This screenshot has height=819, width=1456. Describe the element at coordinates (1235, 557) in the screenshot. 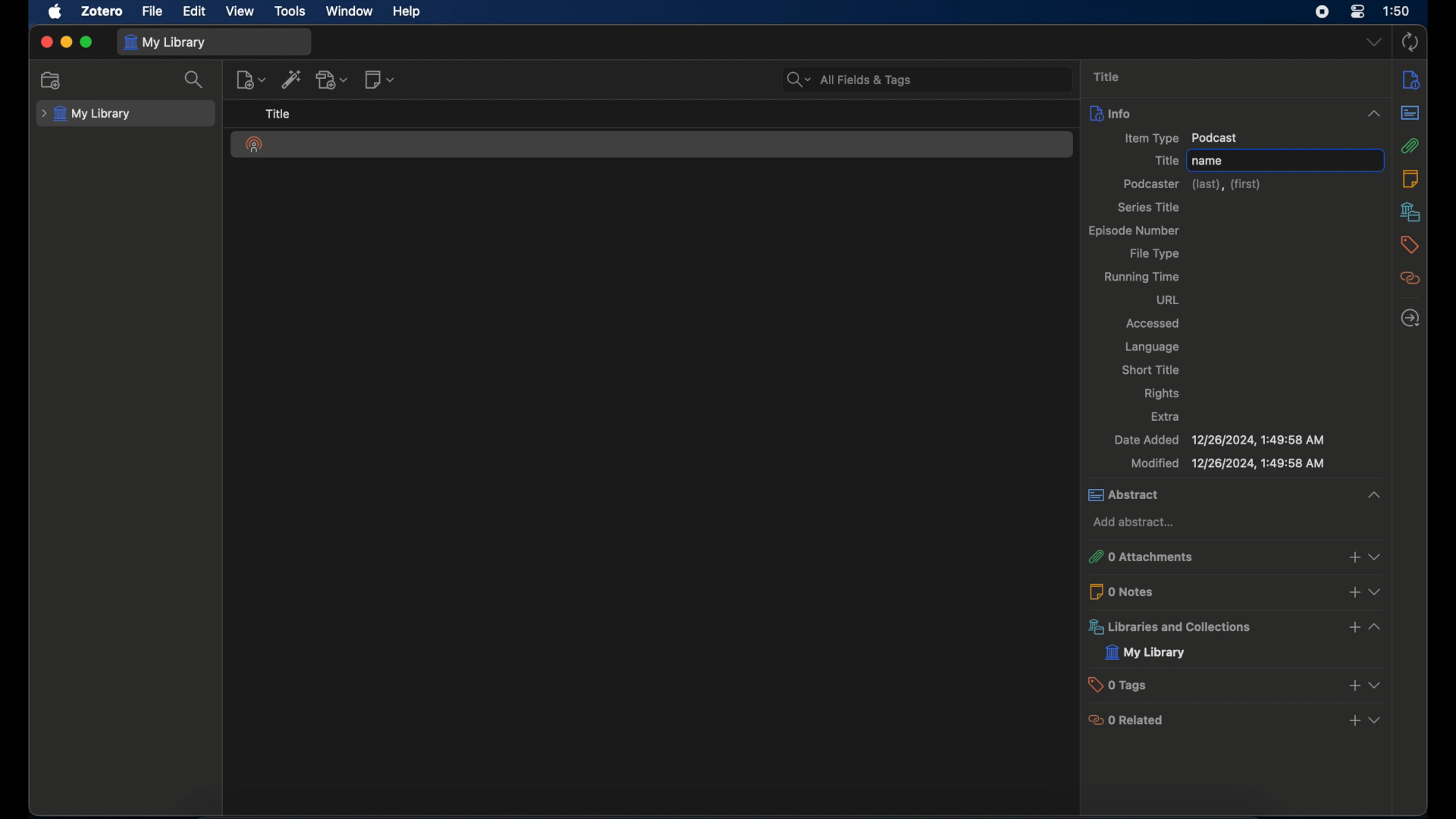

I see `0 attachments` at that location.